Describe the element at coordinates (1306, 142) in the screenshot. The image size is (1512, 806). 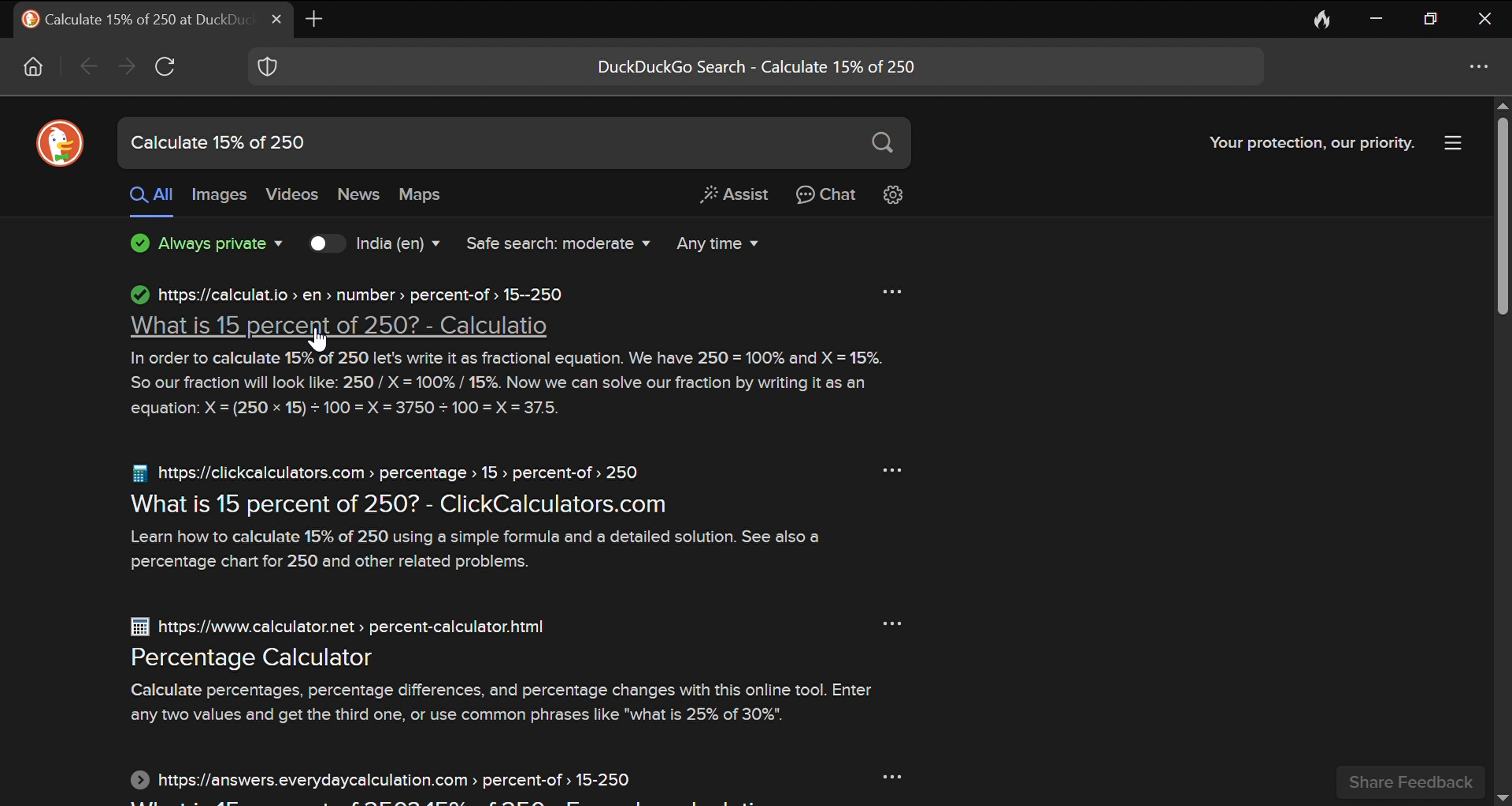
I see `Your protection, our priority.` at that location.